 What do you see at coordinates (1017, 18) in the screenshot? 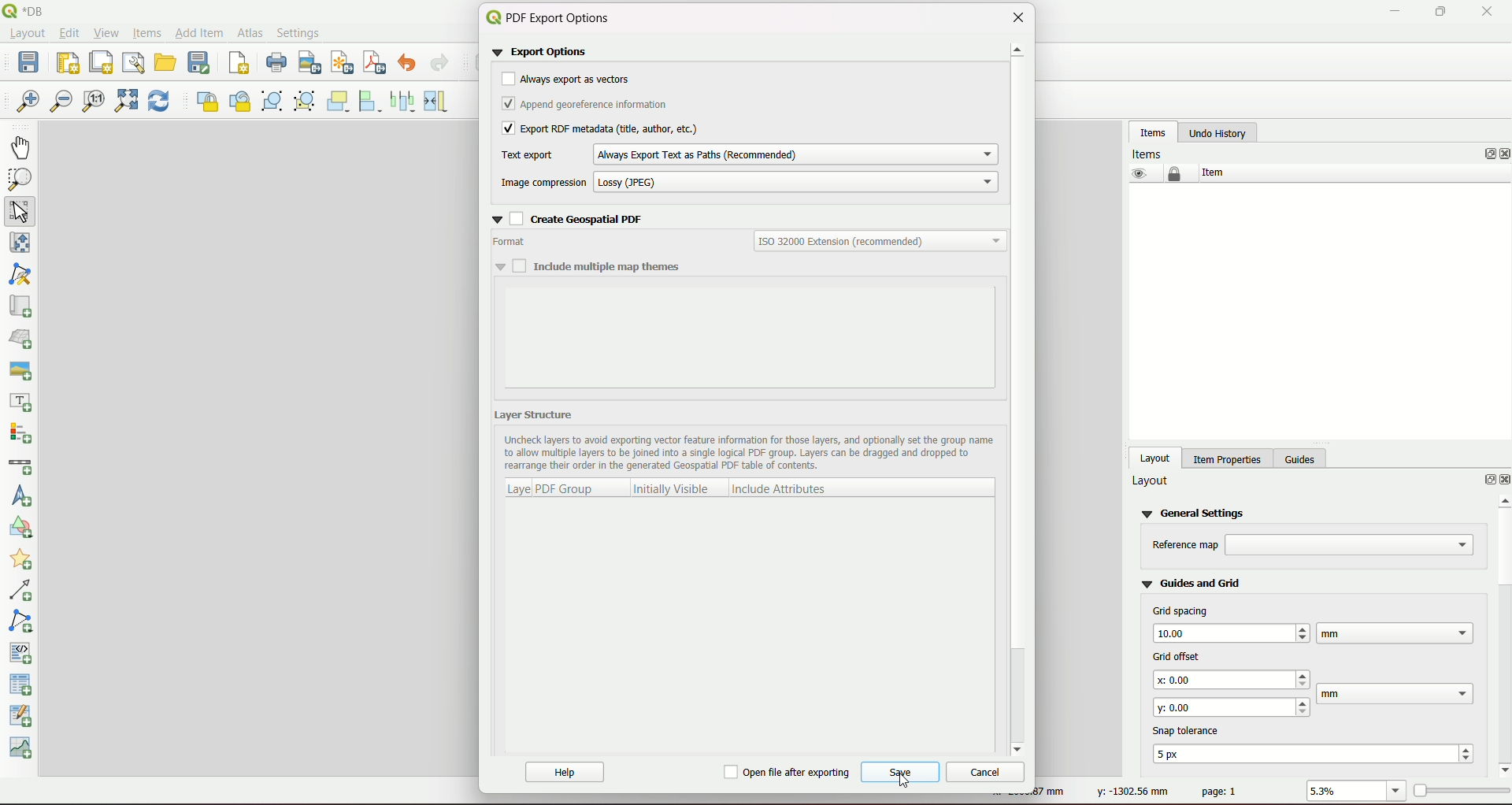
I see `close` at bounding box center [1017, 18].